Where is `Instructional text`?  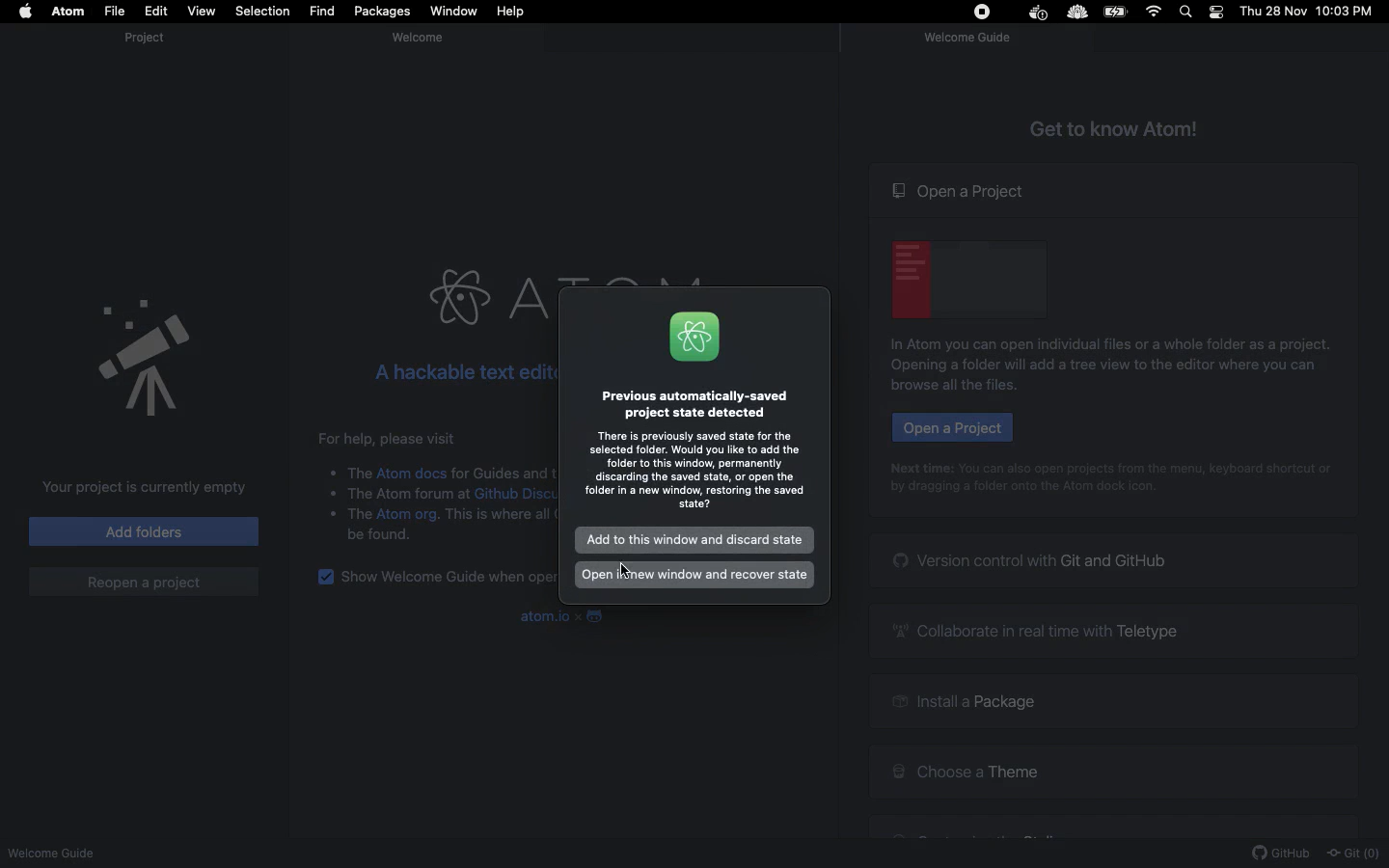 Instructional text is located at coordinates (1022, 492).